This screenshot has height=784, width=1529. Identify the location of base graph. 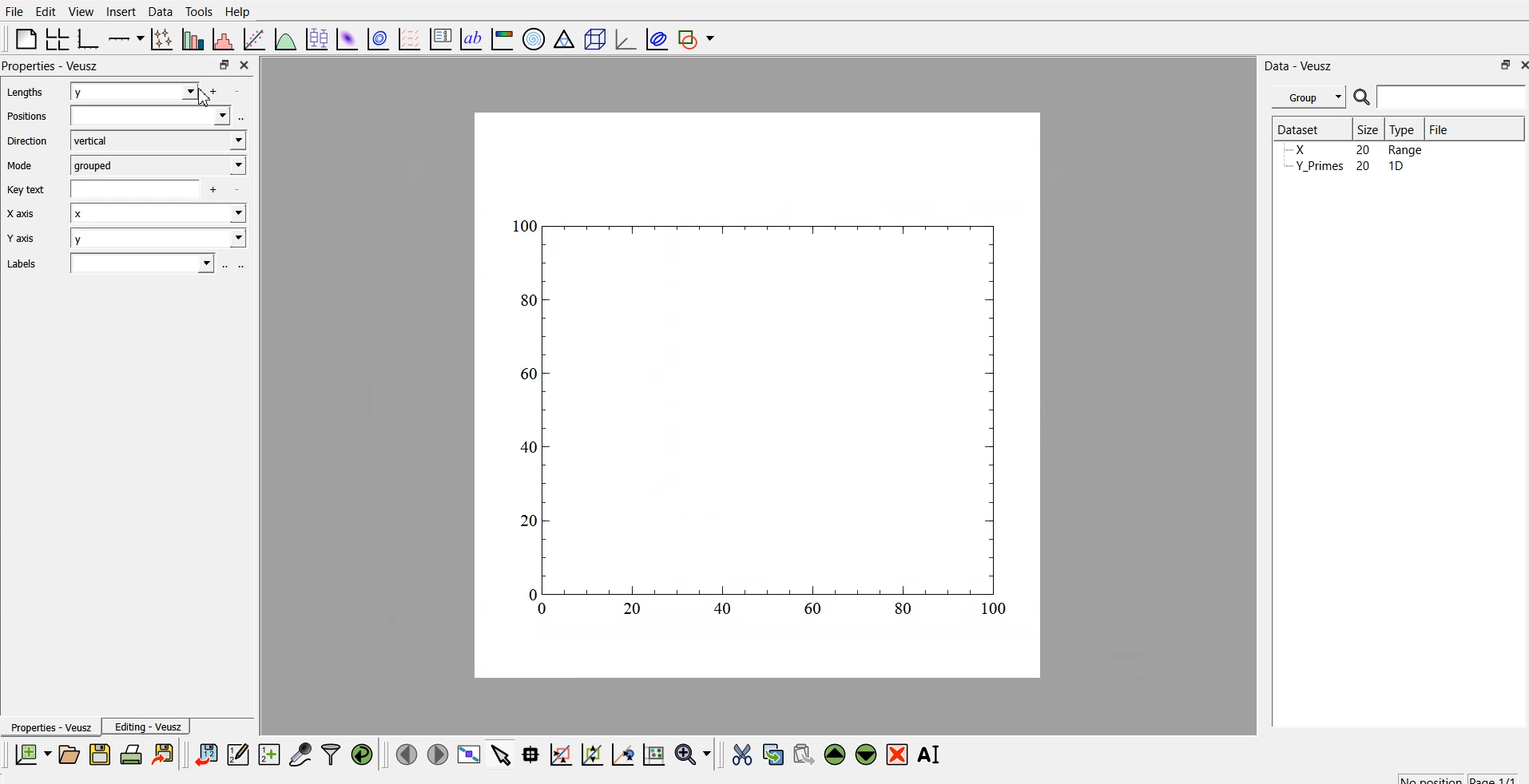
(85, 37).